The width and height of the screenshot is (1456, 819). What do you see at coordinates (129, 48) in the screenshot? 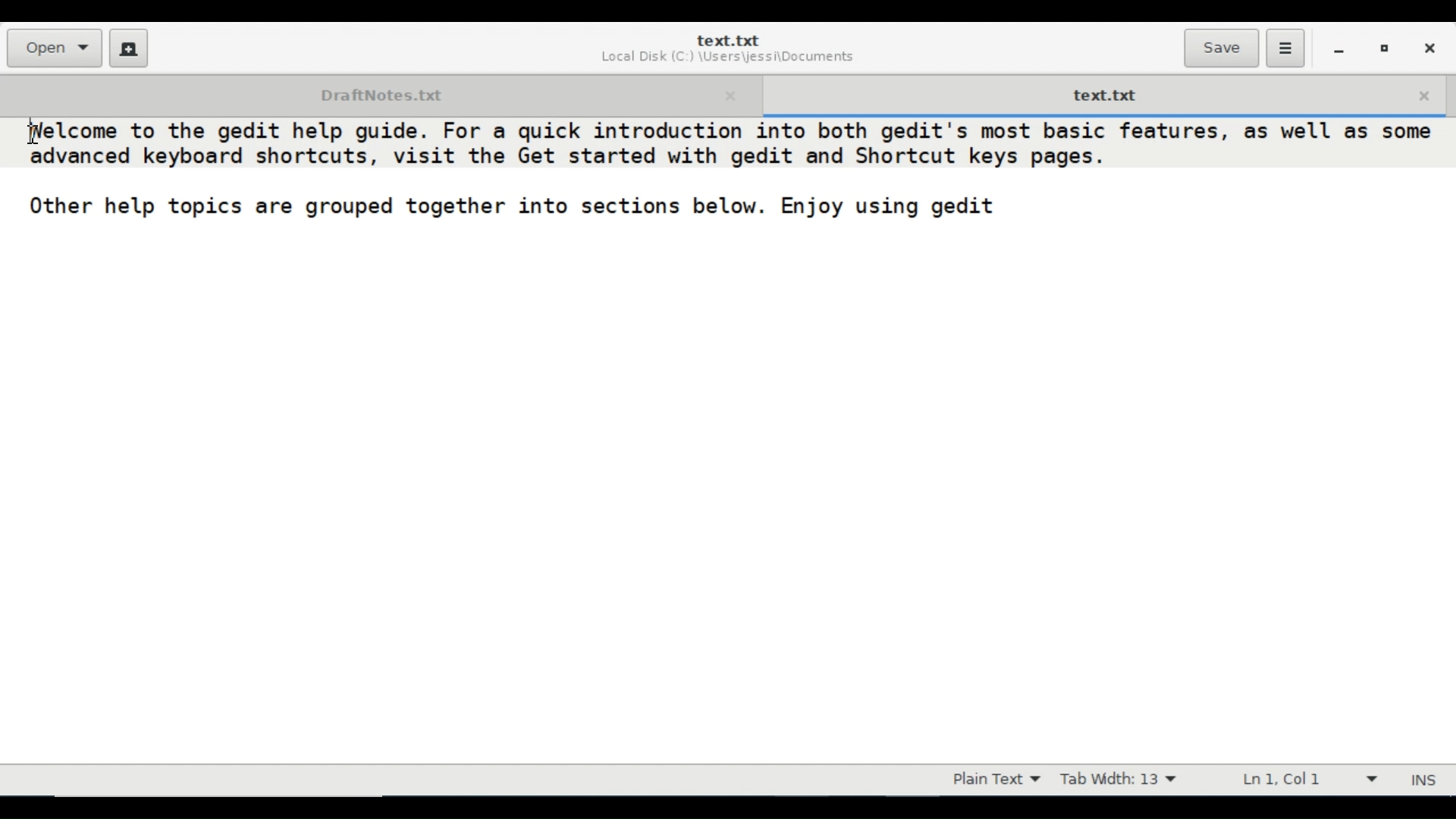
I see `Create New` at bounding box center [129, 48].